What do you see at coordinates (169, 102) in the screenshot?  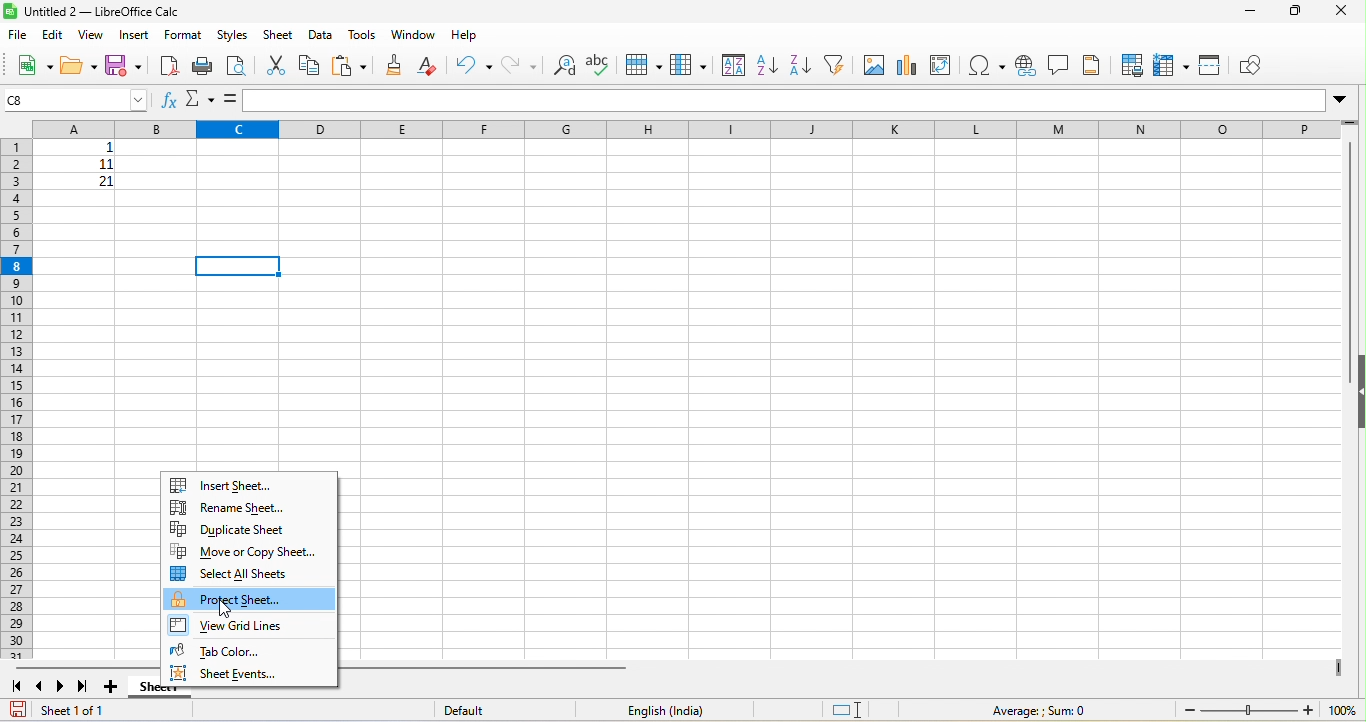 I see `function wizard` at bounding box center [169, 102].